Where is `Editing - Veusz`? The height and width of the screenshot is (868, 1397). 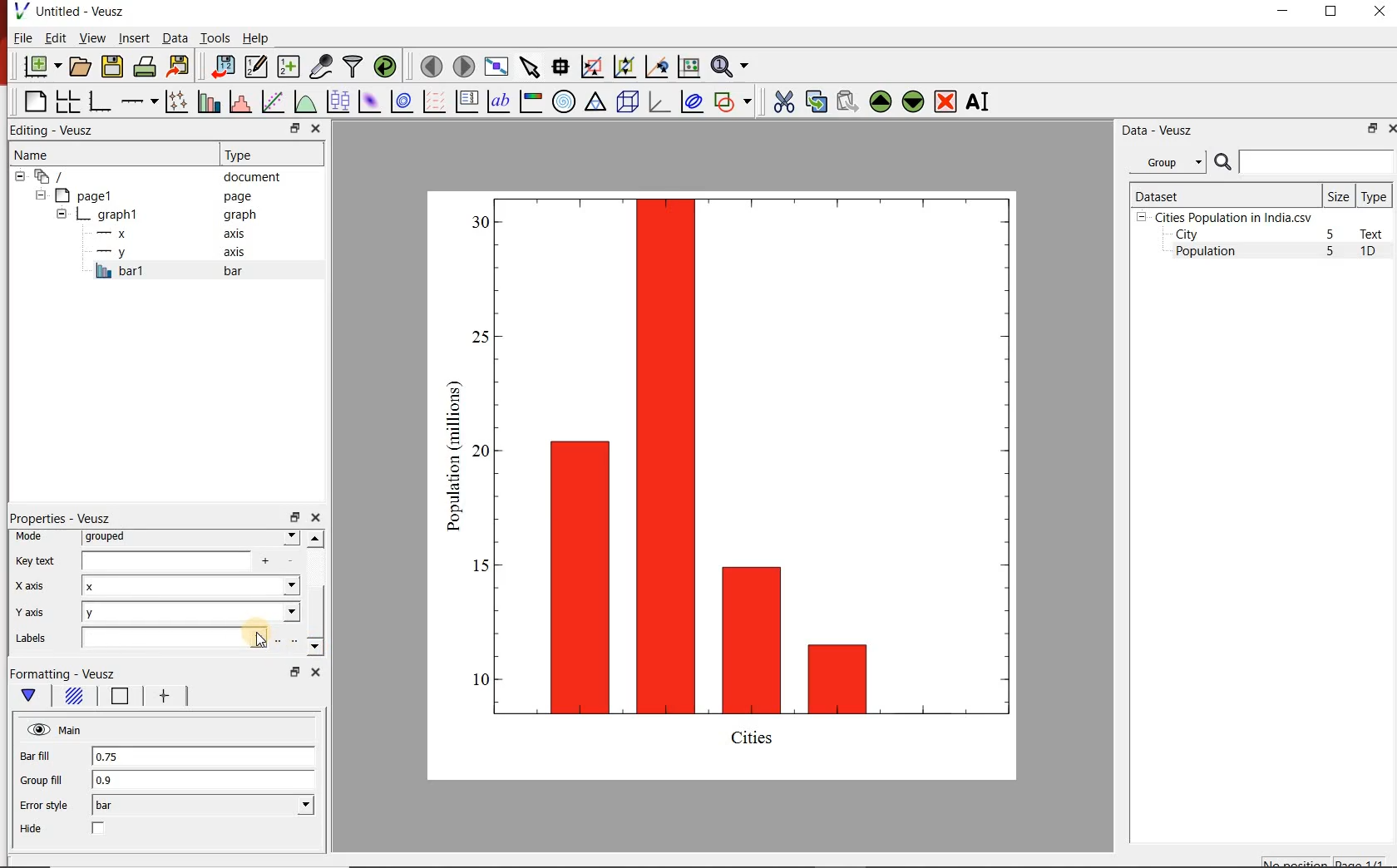
Editing - Veusz is located at coordinates (61, 130).